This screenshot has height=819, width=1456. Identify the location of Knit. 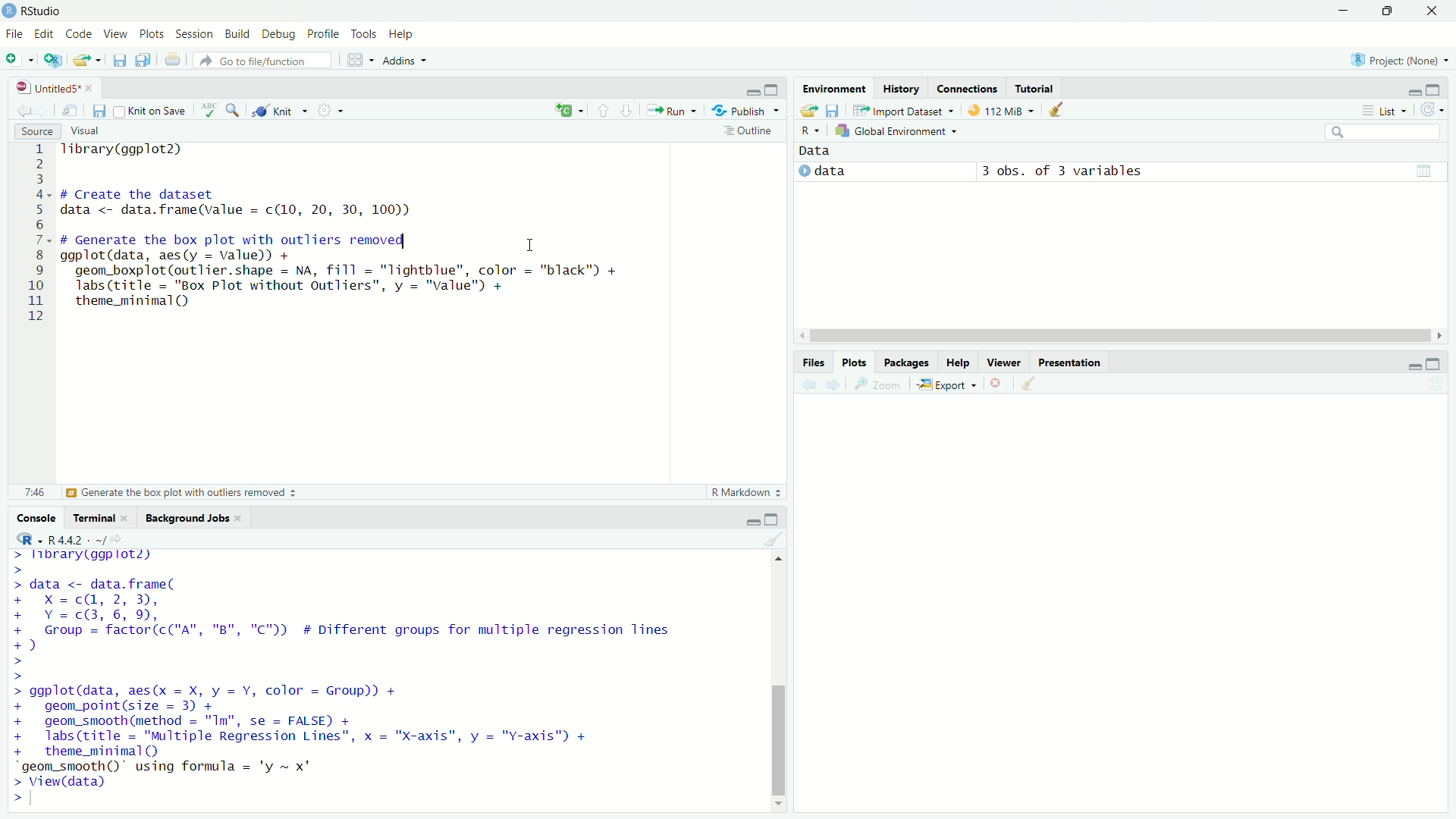
(273, 112).